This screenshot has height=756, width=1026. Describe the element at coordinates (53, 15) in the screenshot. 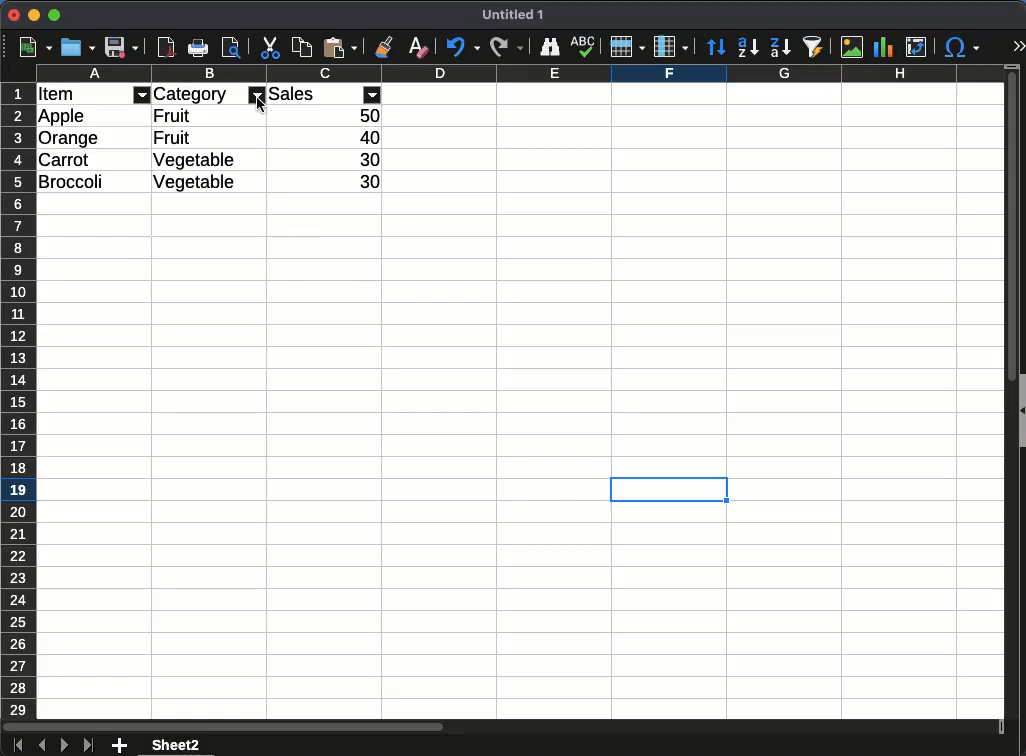

I see `maximize` at that location.